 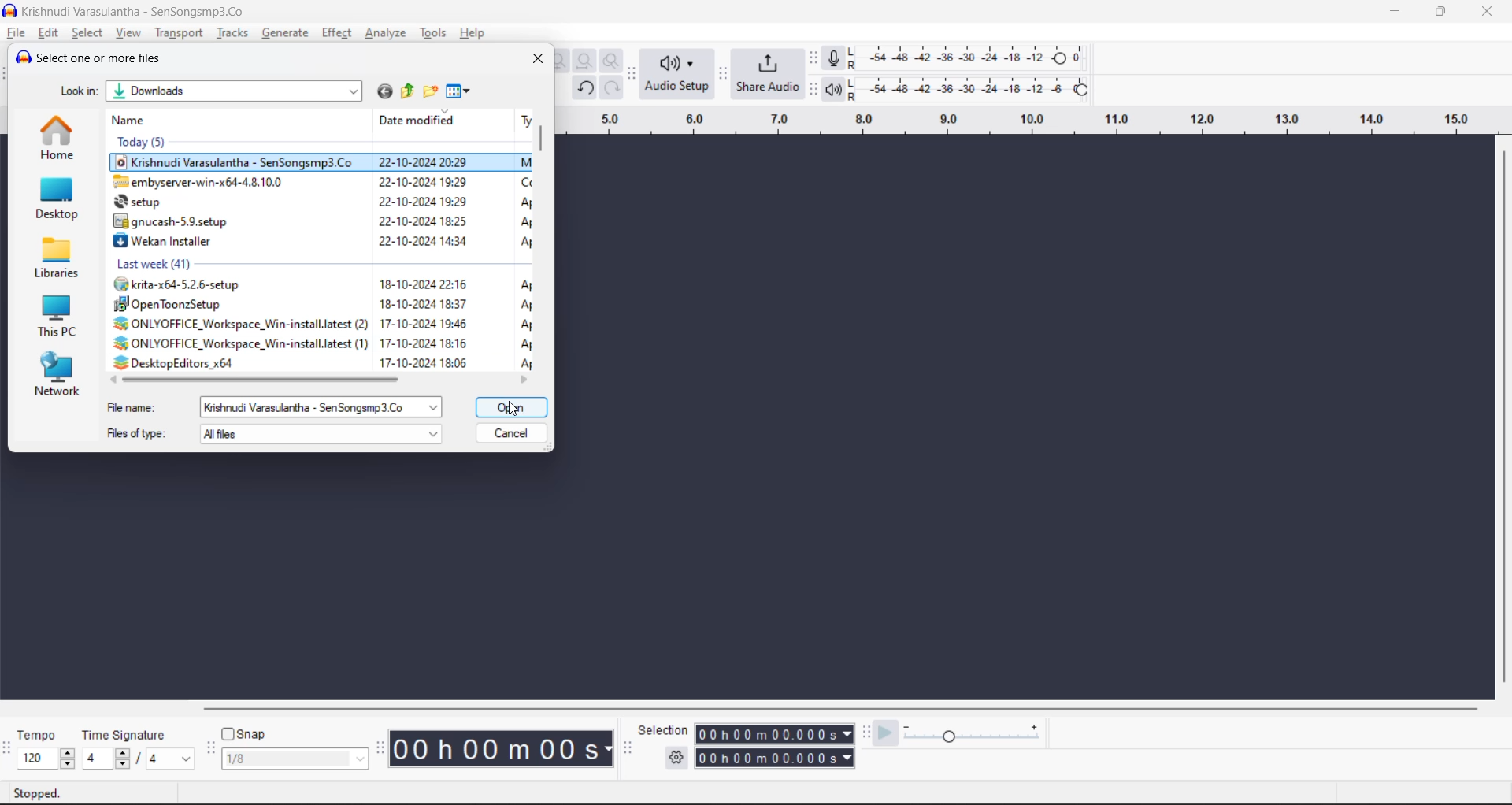 I want to click on time signature, so click(x=129, y=736).